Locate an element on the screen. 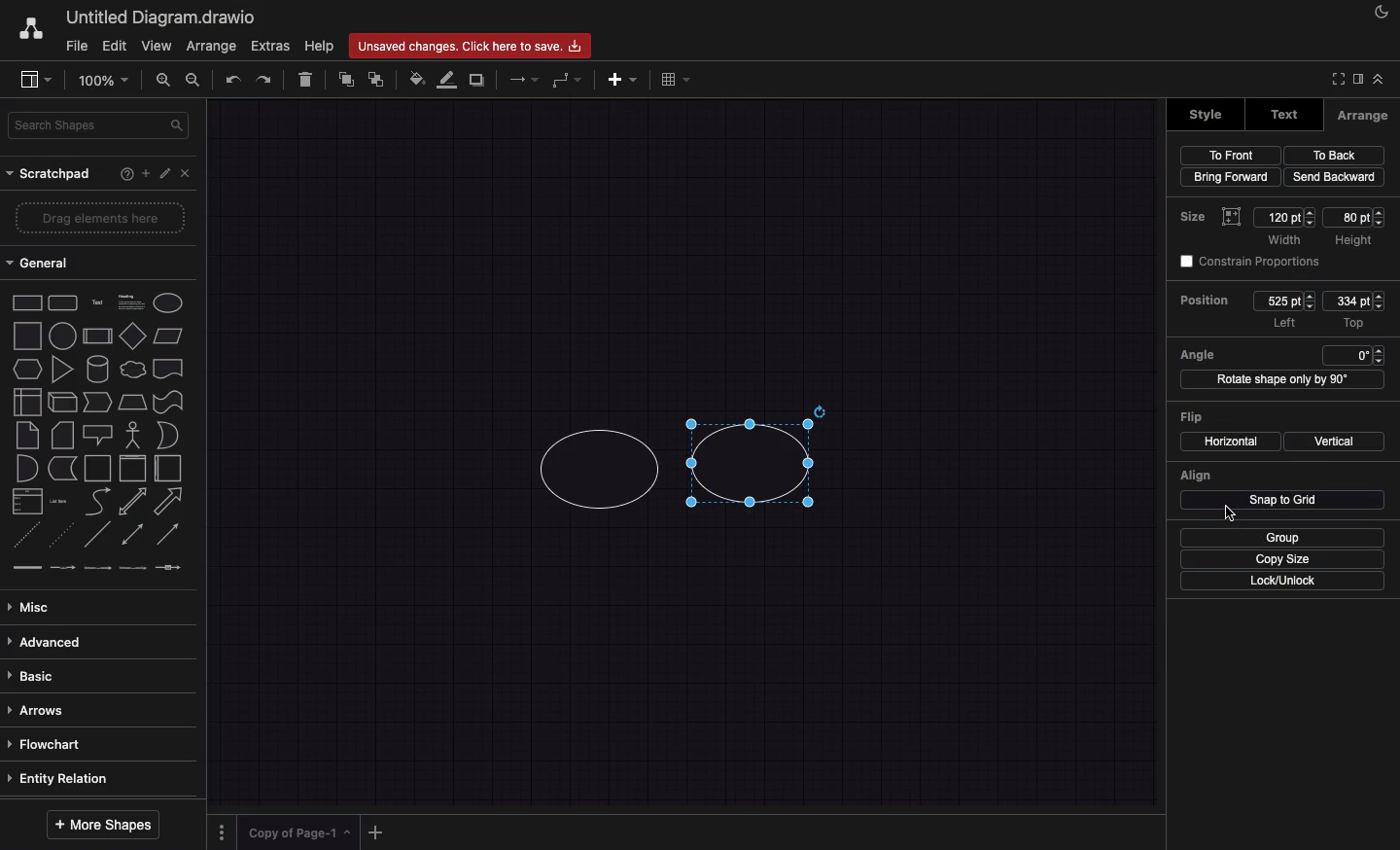 This screenshot has height=850, width=1400. circle is located at coordinates (63, 336).